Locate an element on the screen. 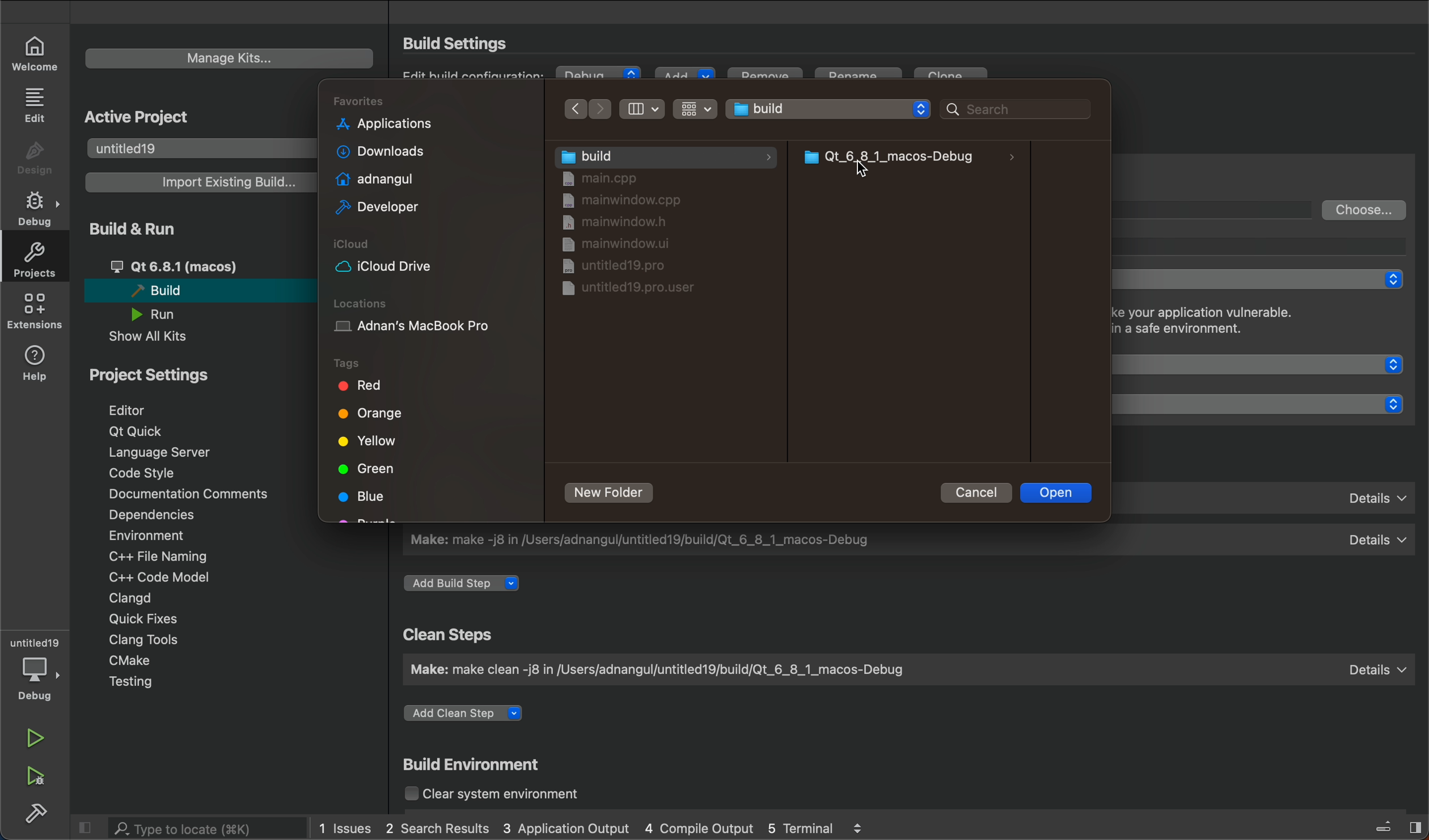 The image size is (1429, 840). debug is located at coordinates (599, 75).